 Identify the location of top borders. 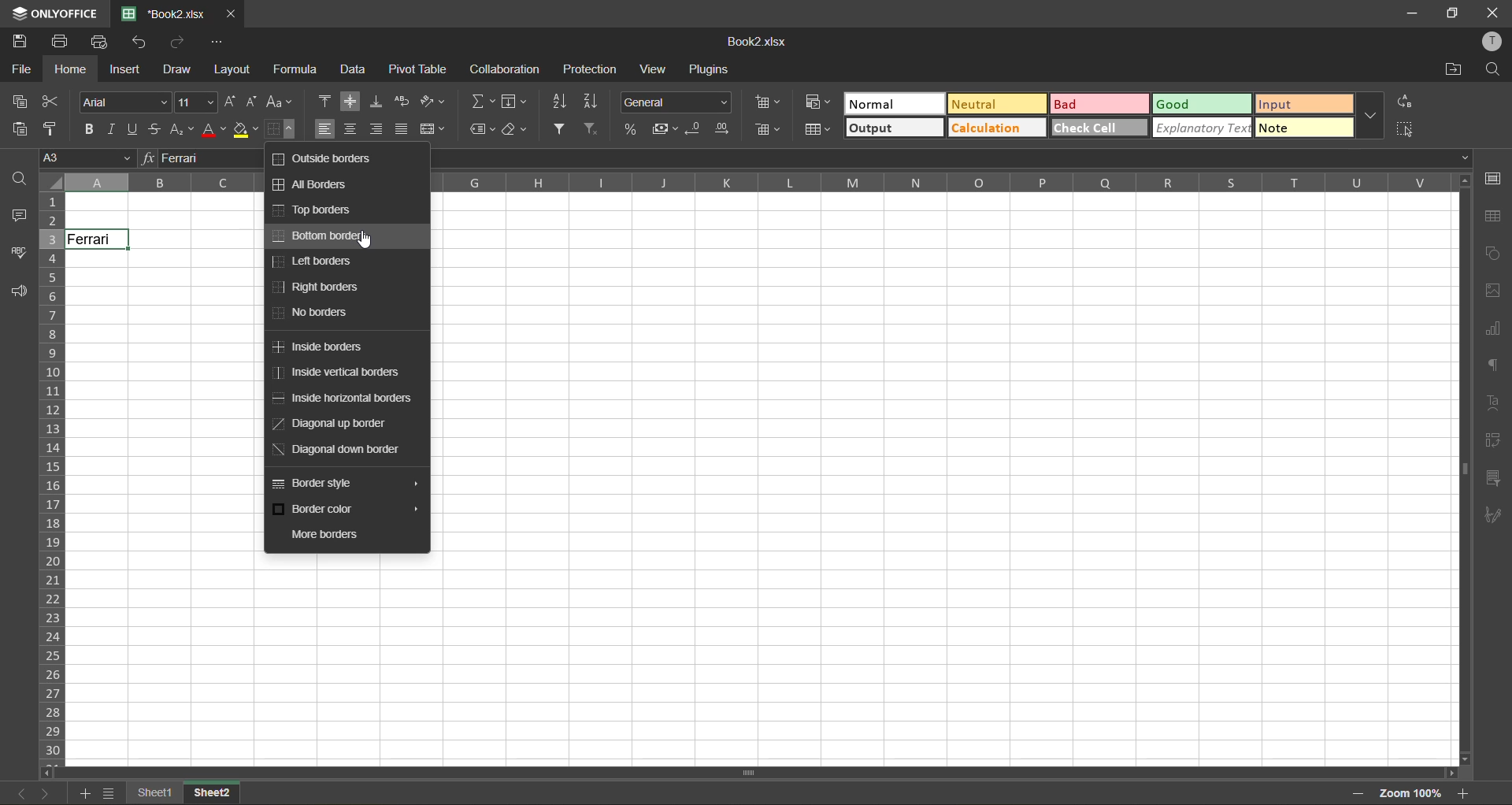
(313, 211).